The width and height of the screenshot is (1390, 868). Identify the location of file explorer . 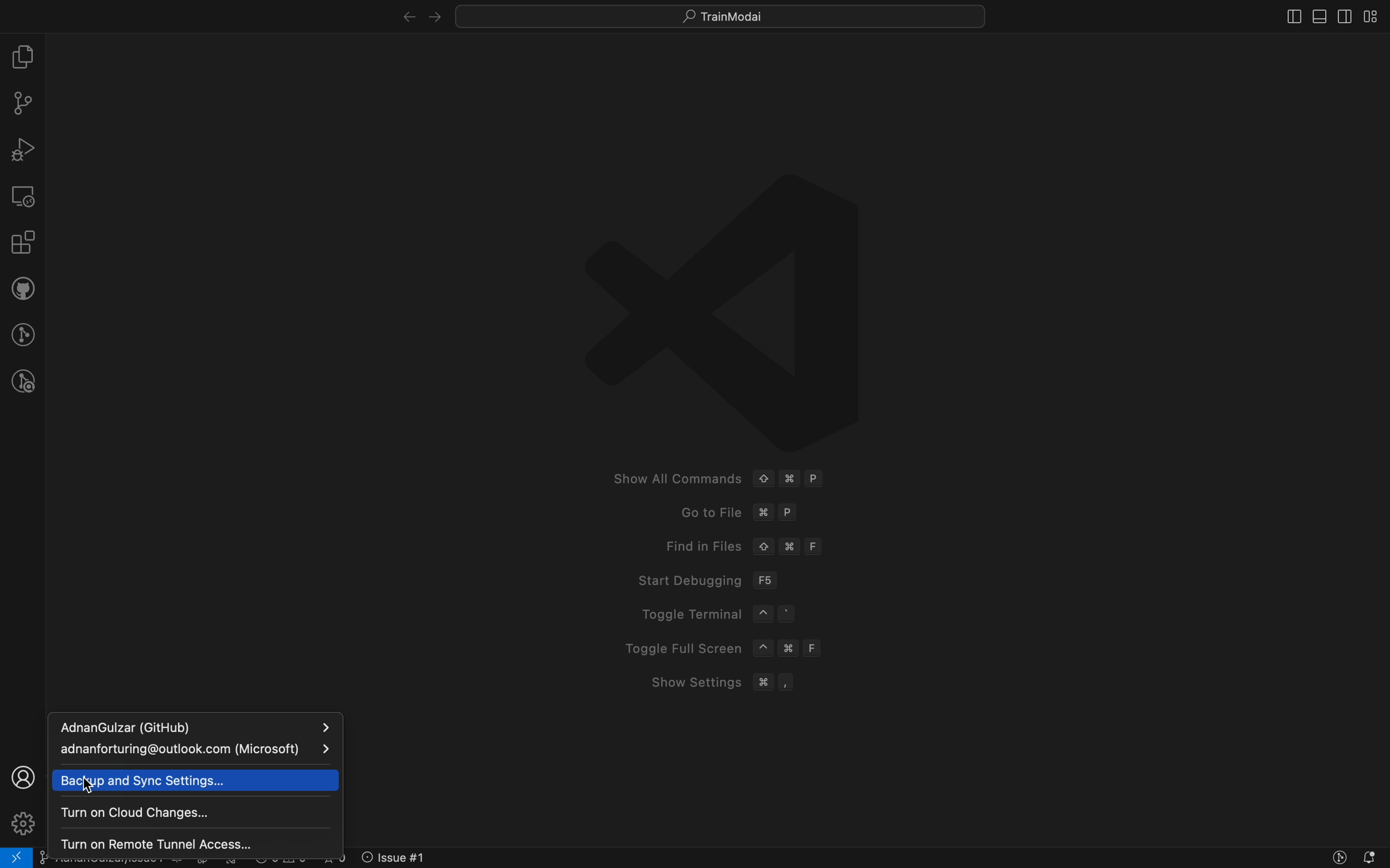
(23, 56).